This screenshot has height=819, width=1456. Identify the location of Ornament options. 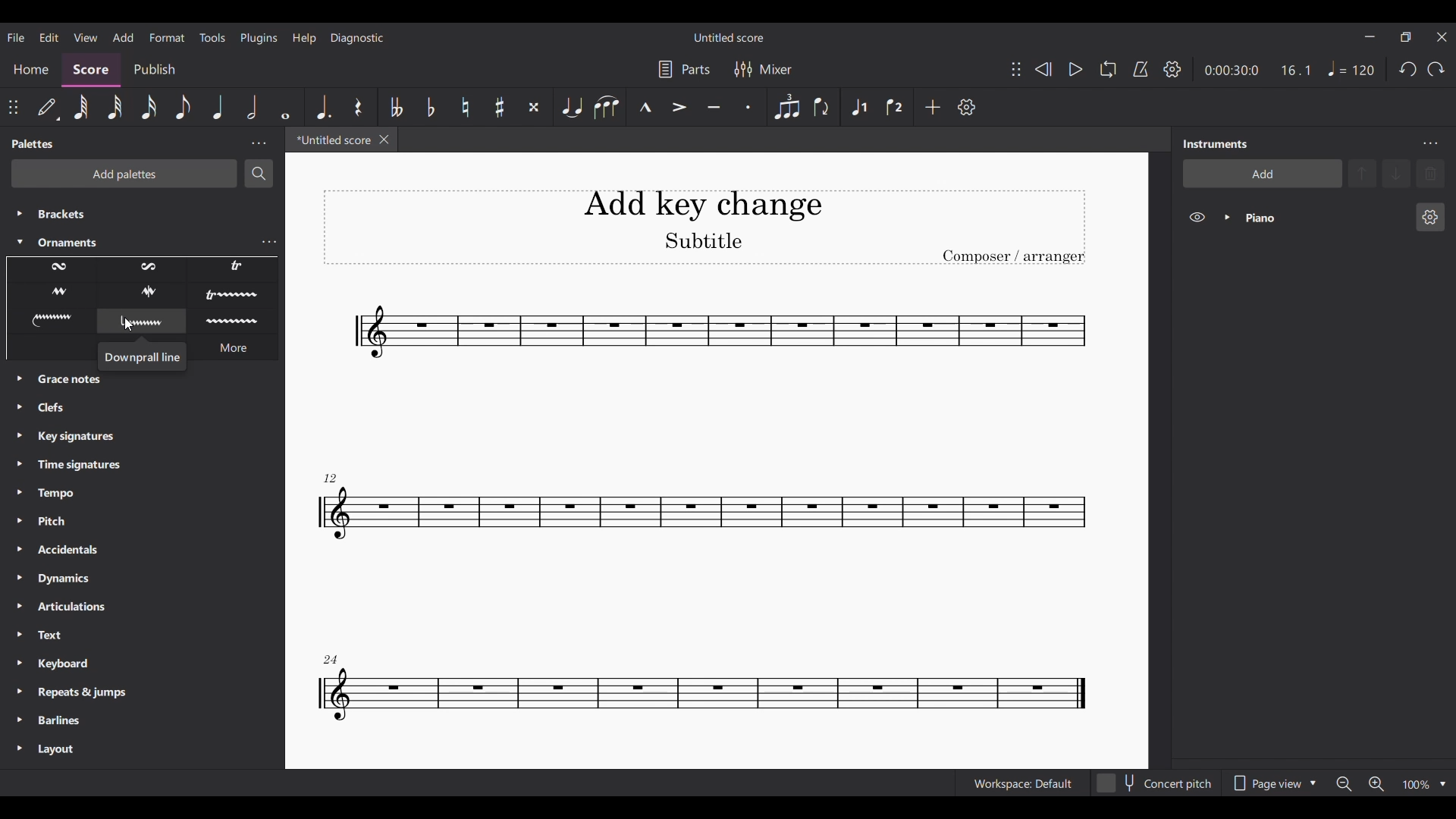
(142, 296).